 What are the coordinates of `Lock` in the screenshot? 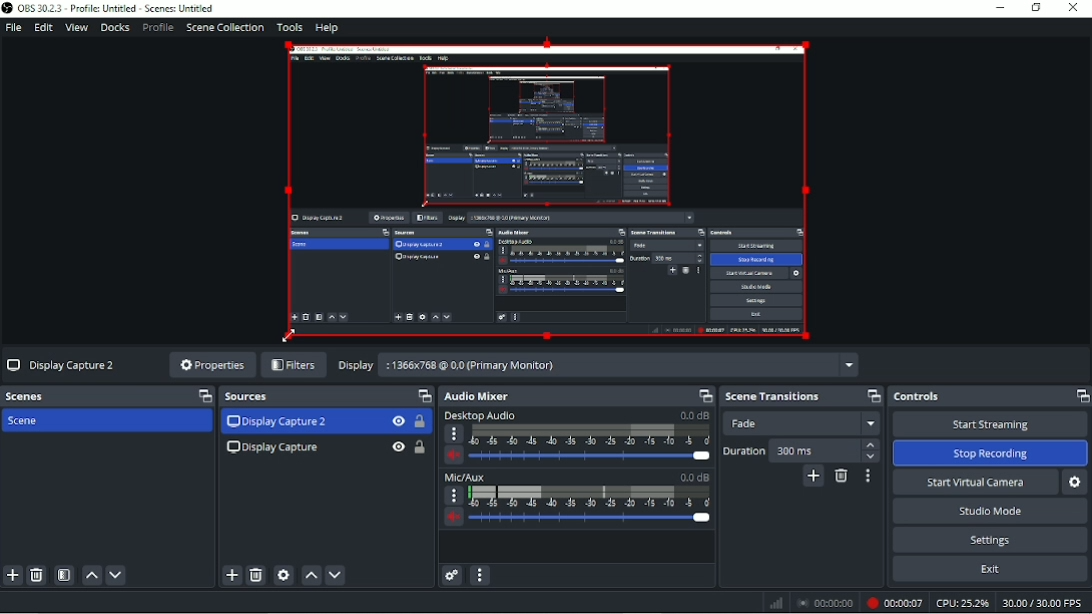 It's located at (419, 447).